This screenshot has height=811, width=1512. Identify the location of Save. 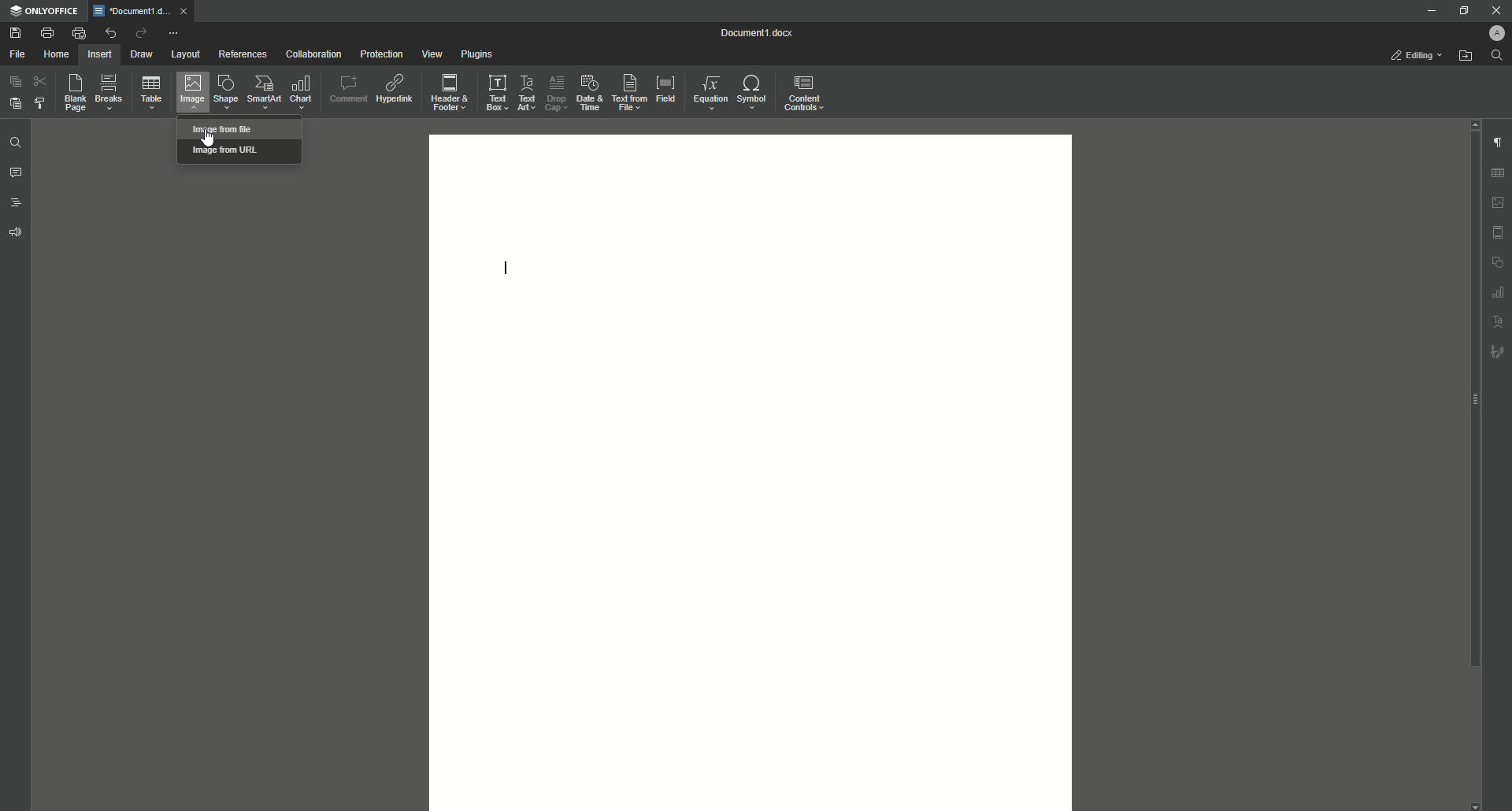
(16, 33).